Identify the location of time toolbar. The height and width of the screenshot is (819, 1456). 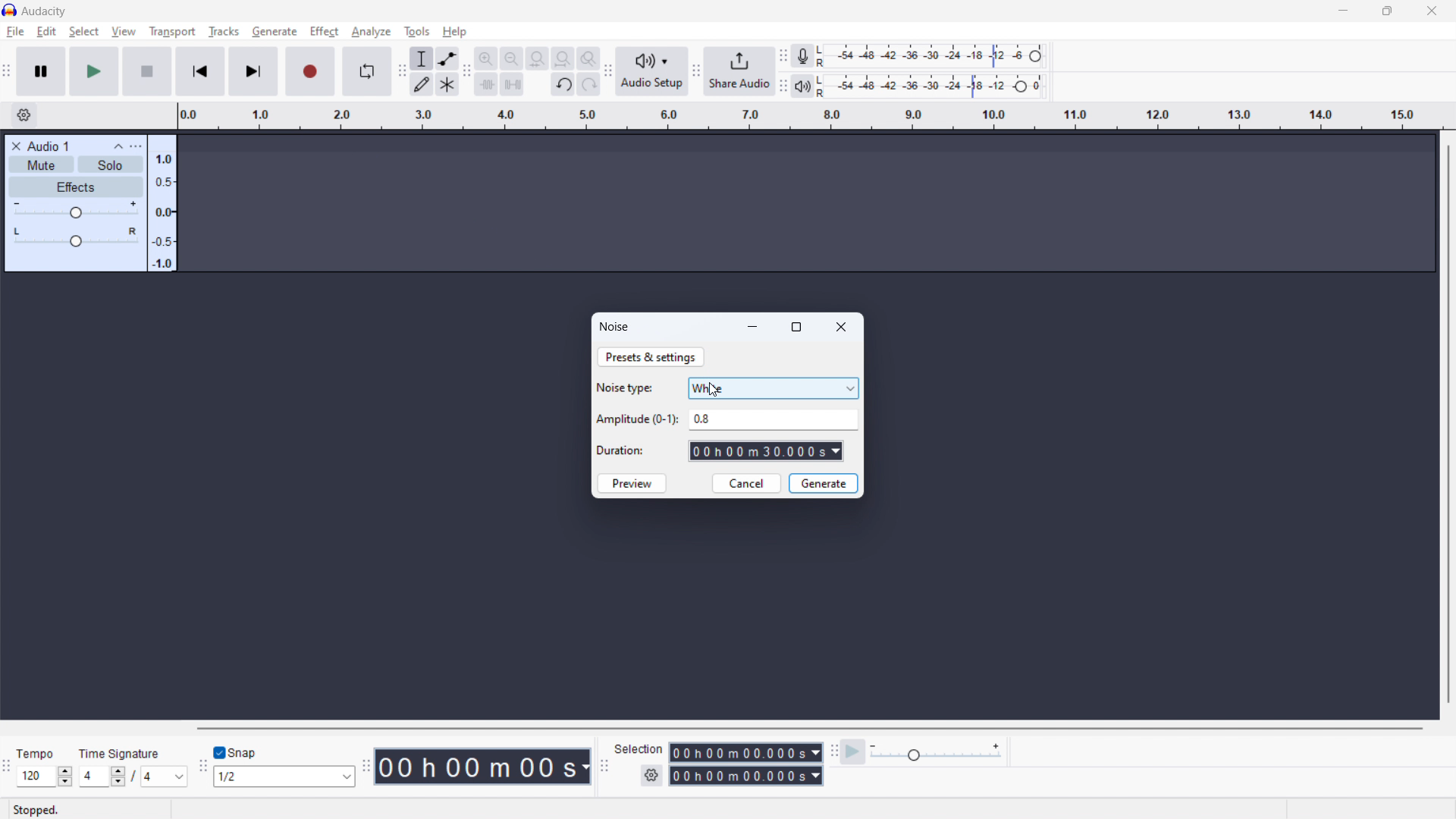
(368, 765).